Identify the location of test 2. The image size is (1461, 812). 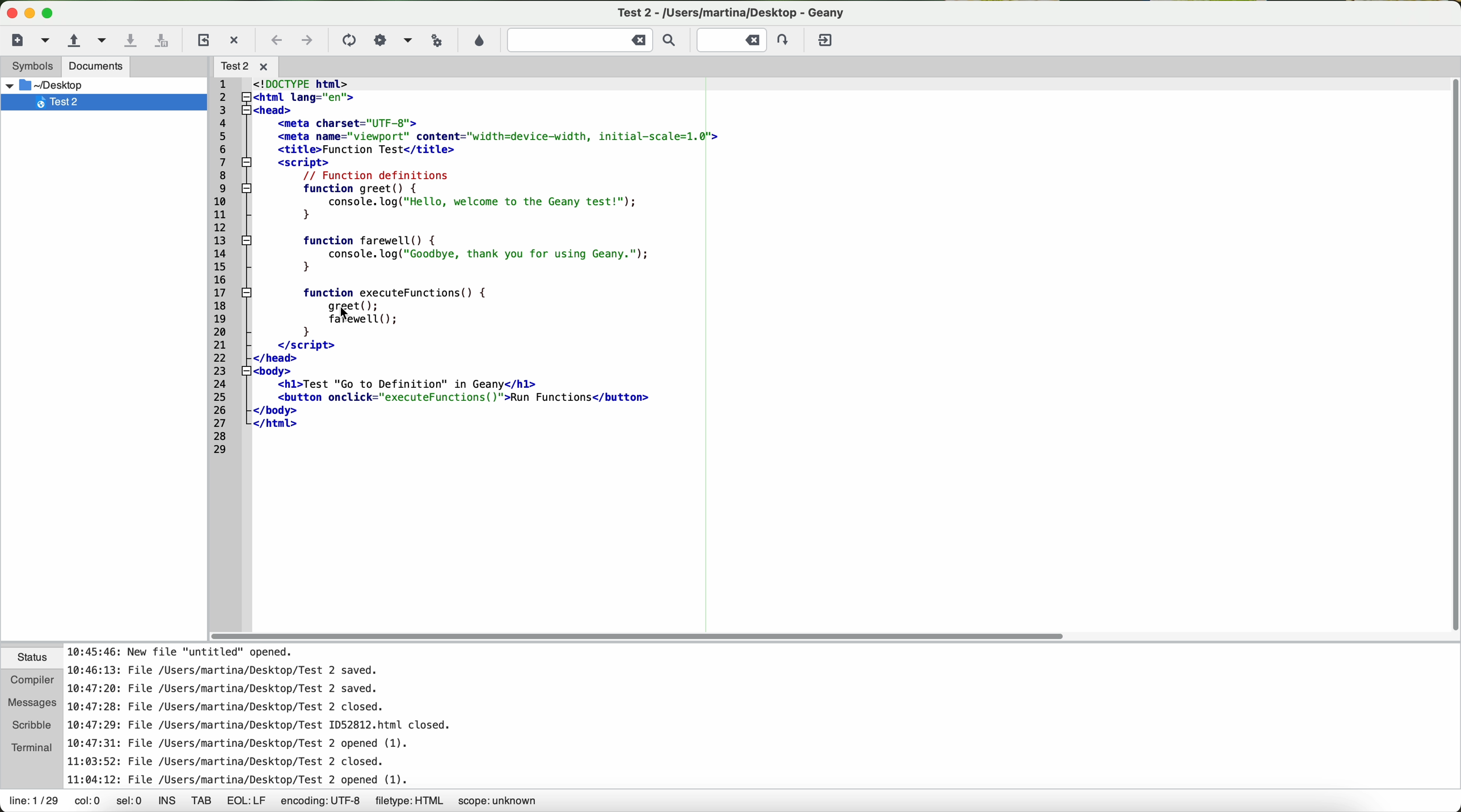
(743, 10).